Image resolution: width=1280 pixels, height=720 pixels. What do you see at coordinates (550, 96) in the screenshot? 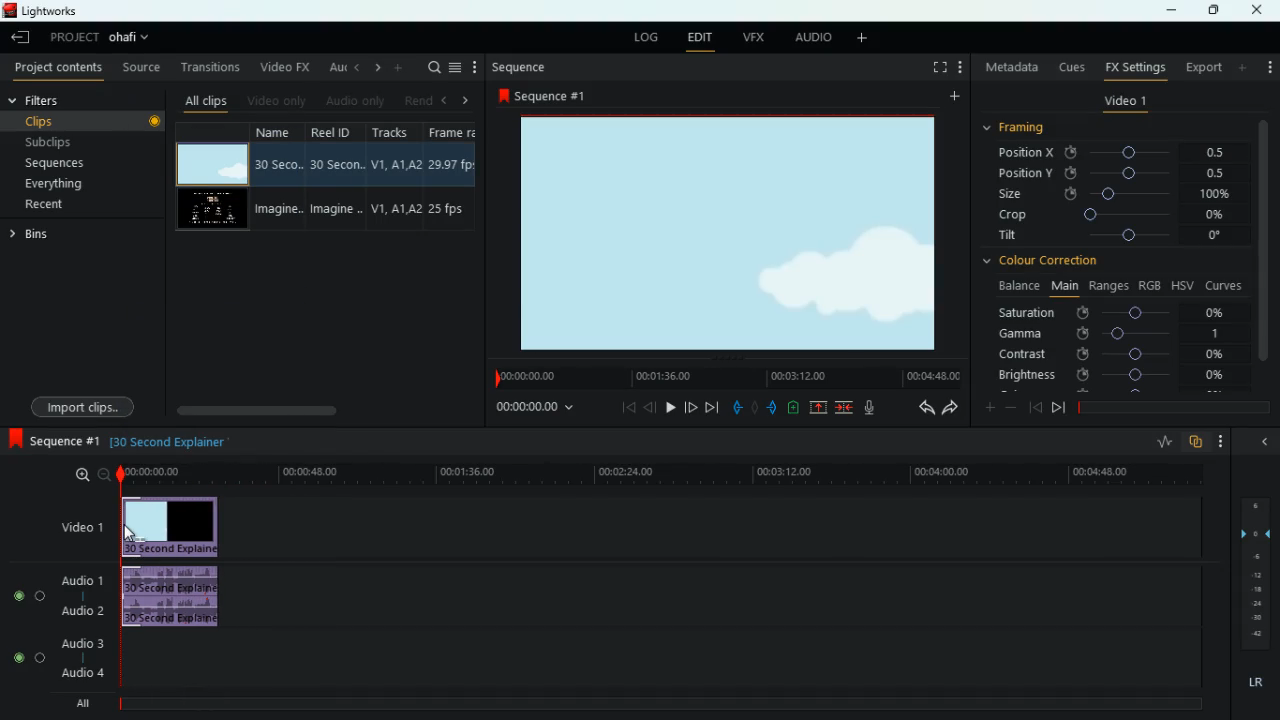
I see `sequence` at bounding box center [550, 96].